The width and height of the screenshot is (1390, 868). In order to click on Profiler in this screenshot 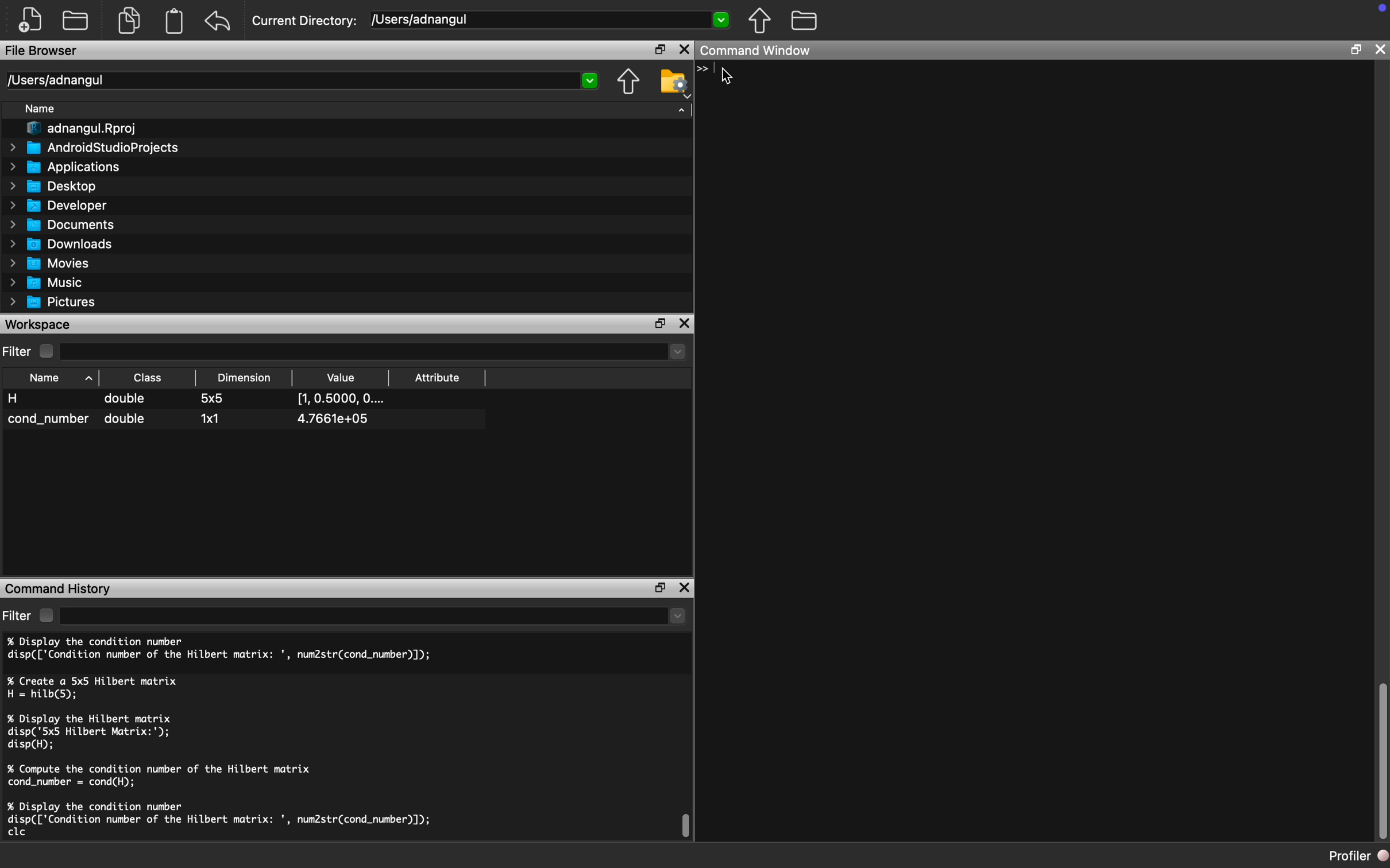, I will do `click(1360, 856)`.